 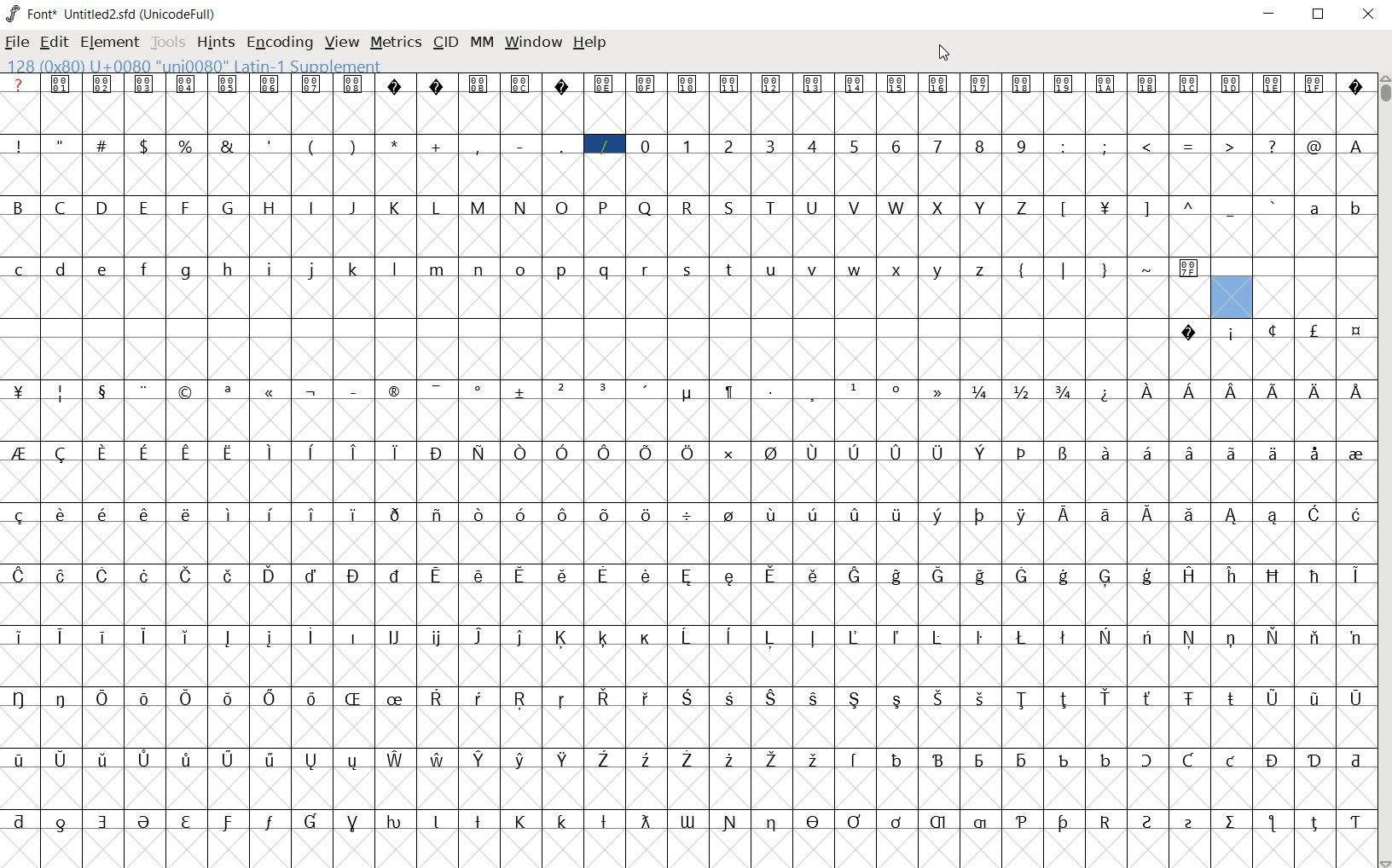 I want to click on glyph, so click(x=1355, y=639).